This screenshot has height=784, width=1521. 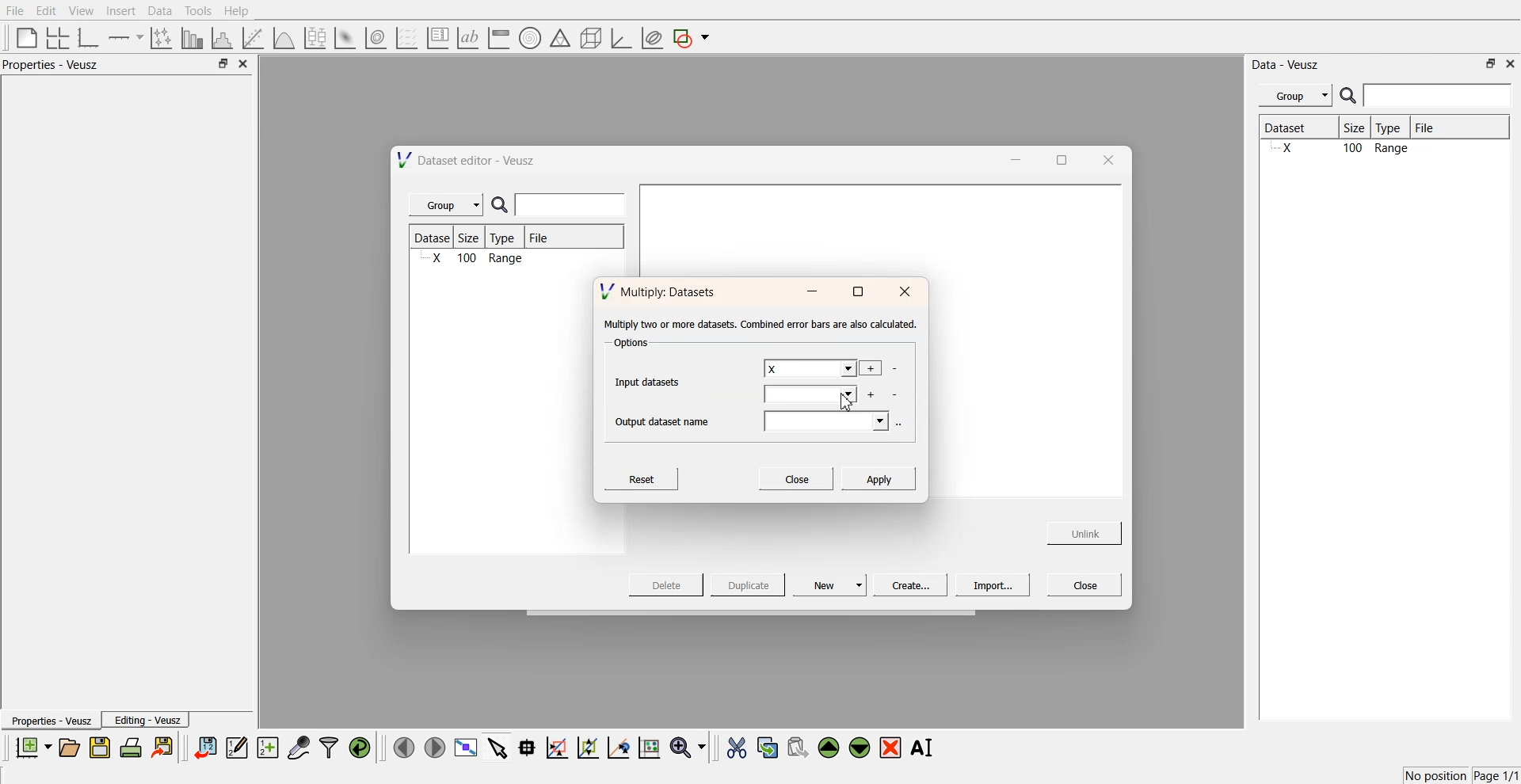 I want to click on add , so click(x=870, y=394).